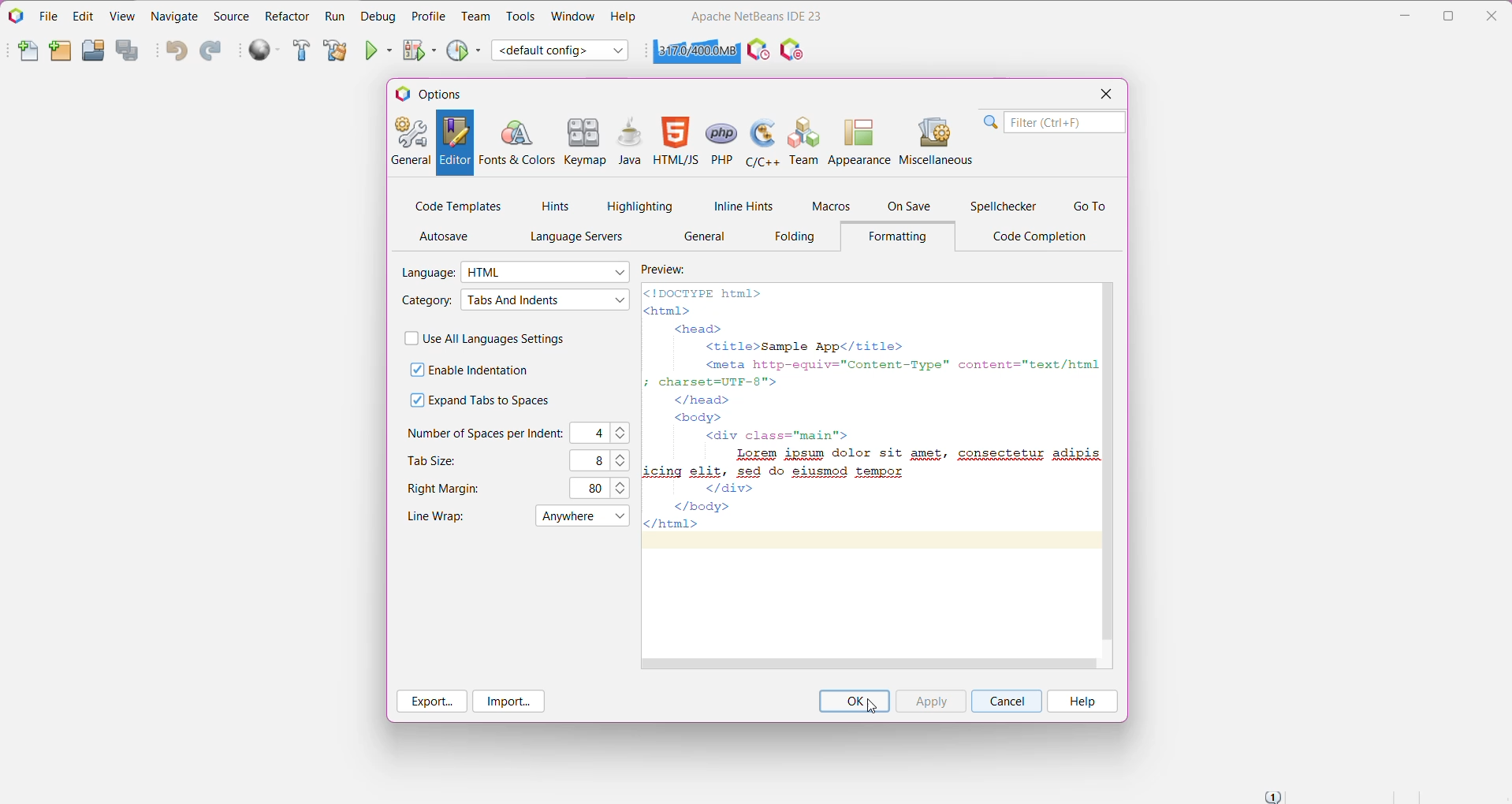 Image resolution: width=1512 pixels, height=804 pixels. I want to click on Select the required language, so click(547, 272).